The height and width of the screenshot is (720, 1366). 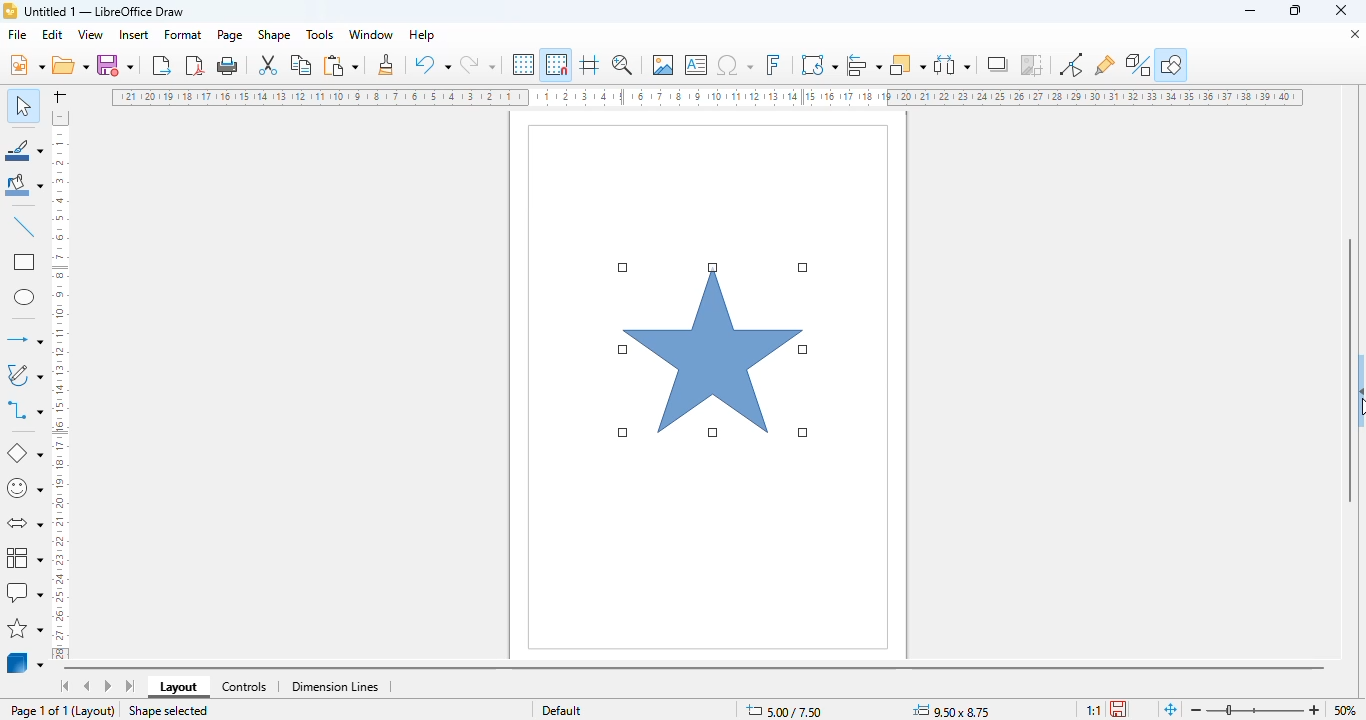 I want to click on scroll to next sheet, so click(x=108, y=686).